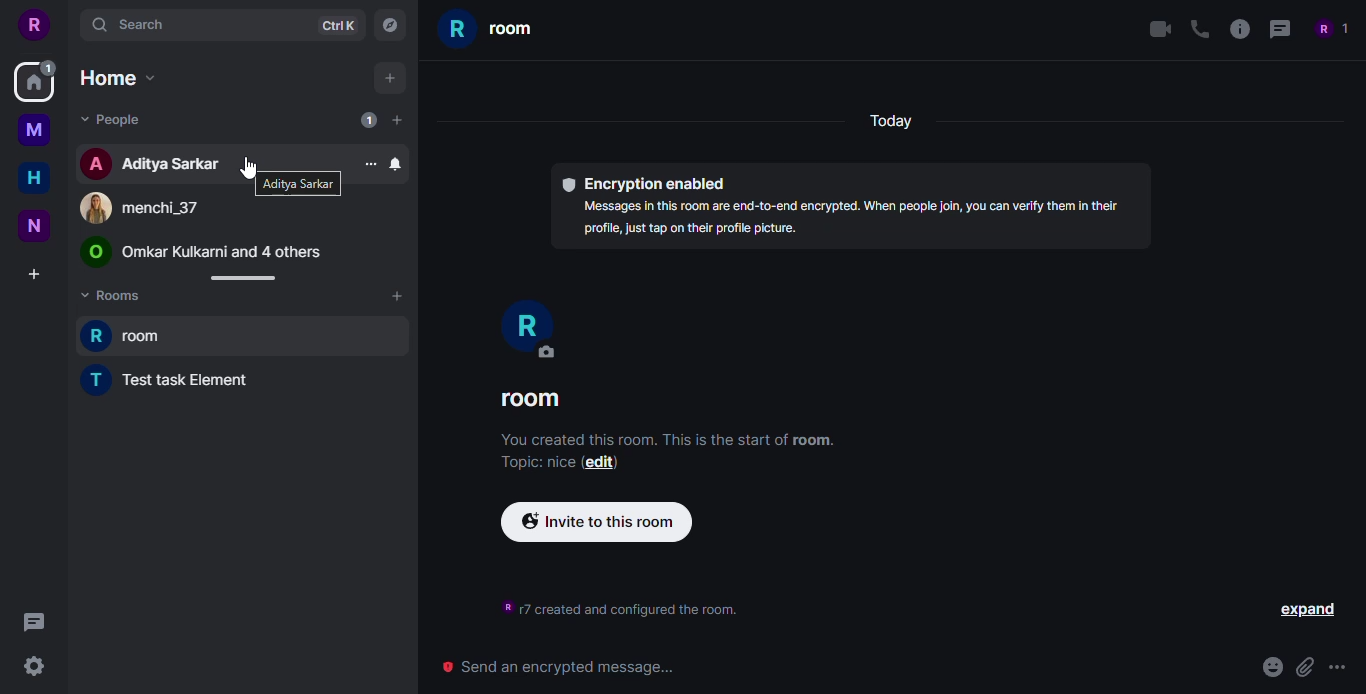 The width and height of the screenshot is (1366, 694). Describe the element at coordinates (113, 120) in the screenshot. I see `people` at that location.